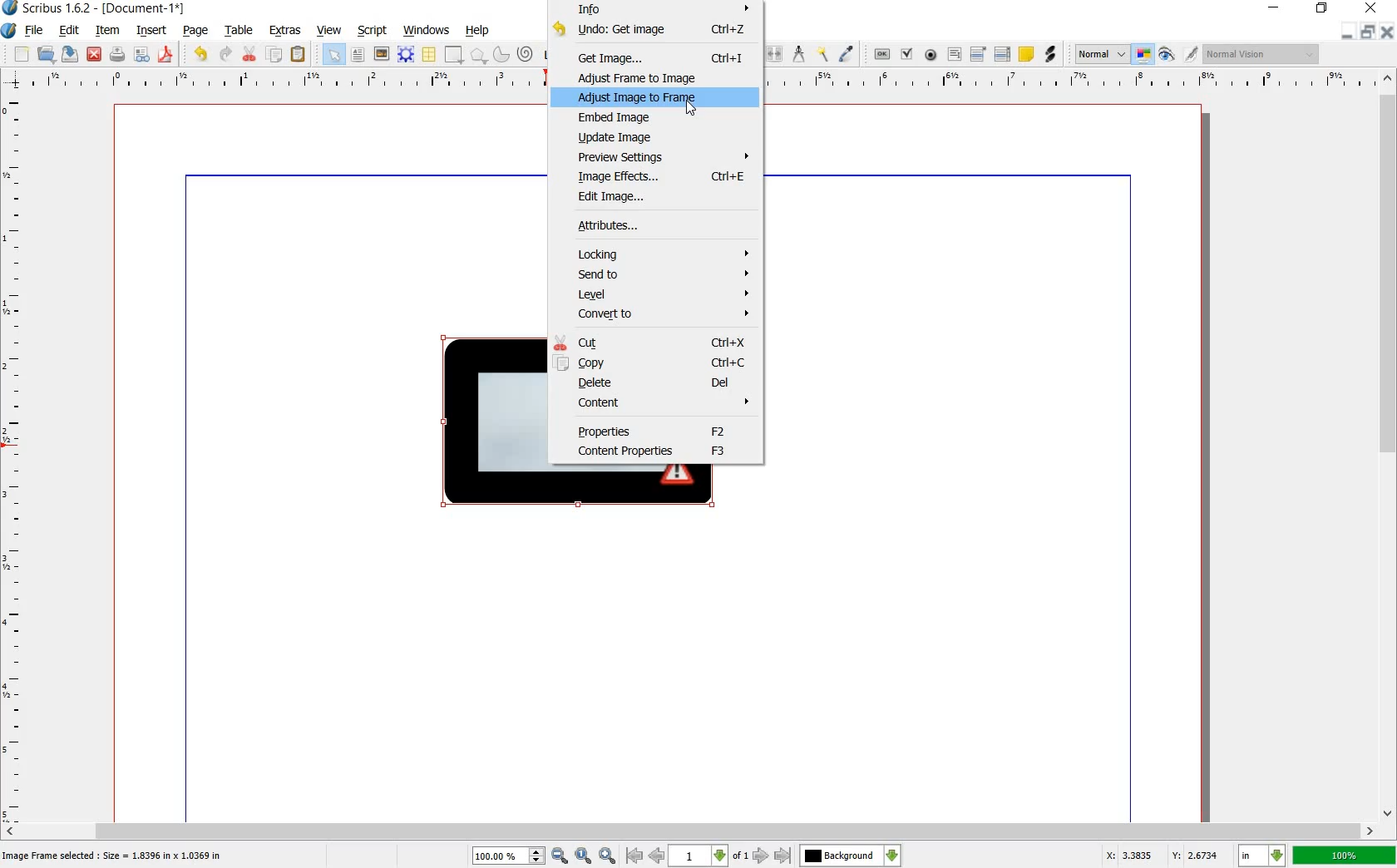 Image resolution: width=1397 pixels, height=868 pixels. What do you see at coordinates (1389, 447) in the screenshot?
I see `scrollbar` at bounding box center [1389, 447].